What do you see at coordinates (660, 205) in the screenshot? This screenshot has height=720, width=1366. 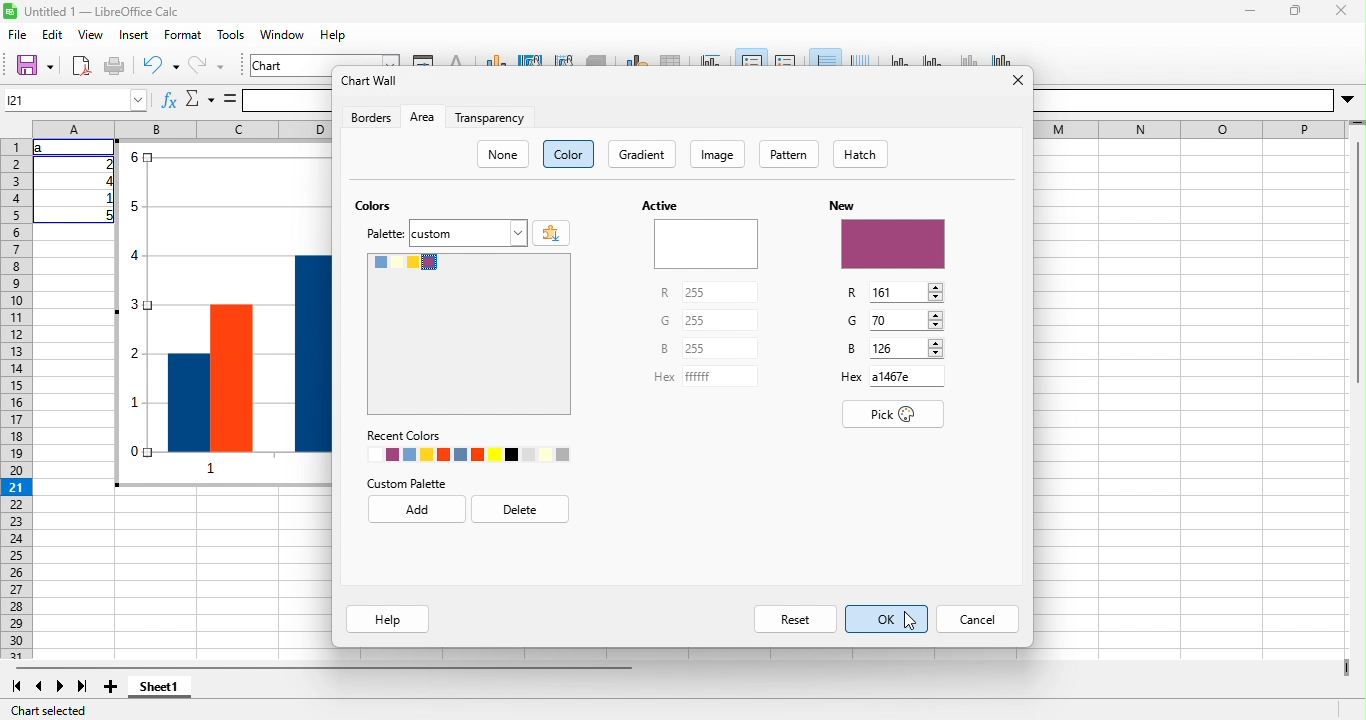 I see `Active` at bounding box center [660, 205].